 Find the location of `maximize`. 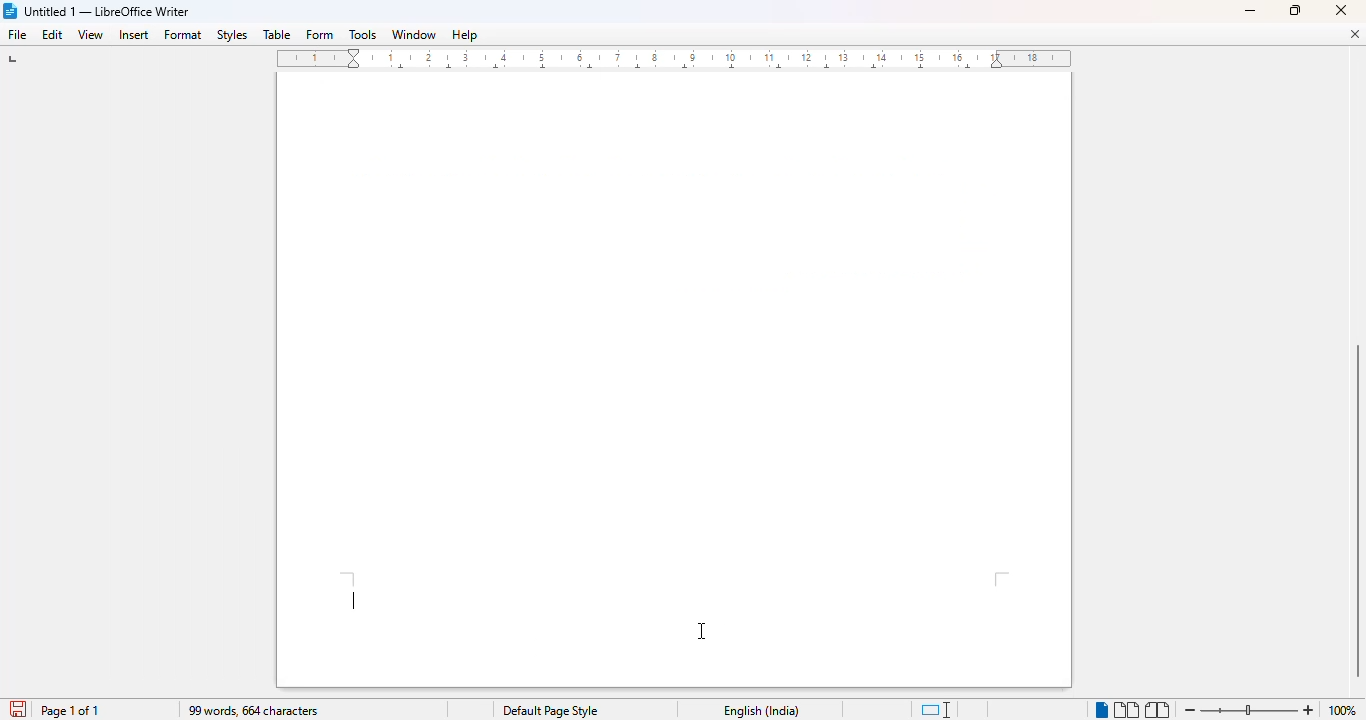

maximize is located at coordinates (1295, 9).